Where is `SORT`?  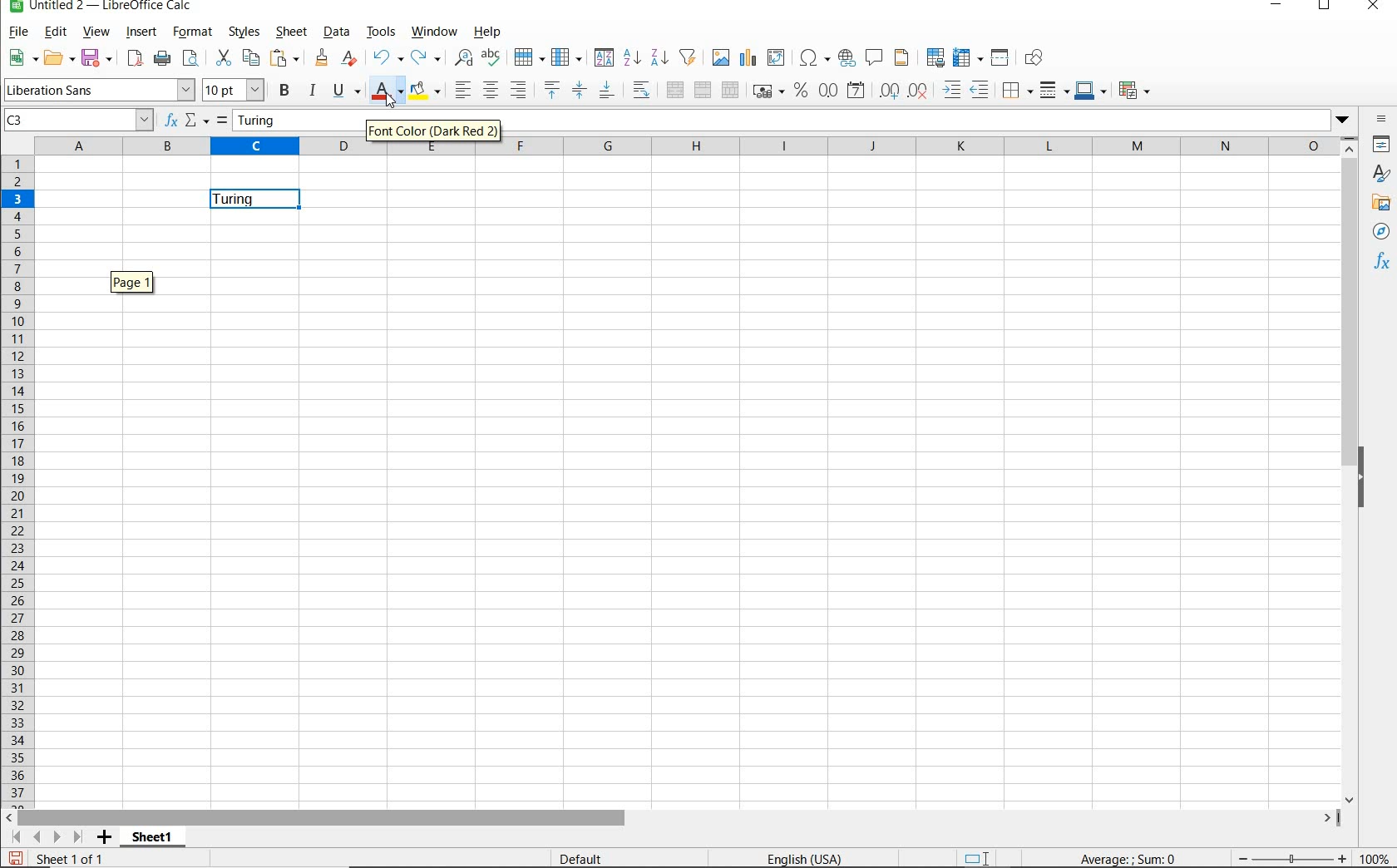 SORT is located at coordinates (602, 57).